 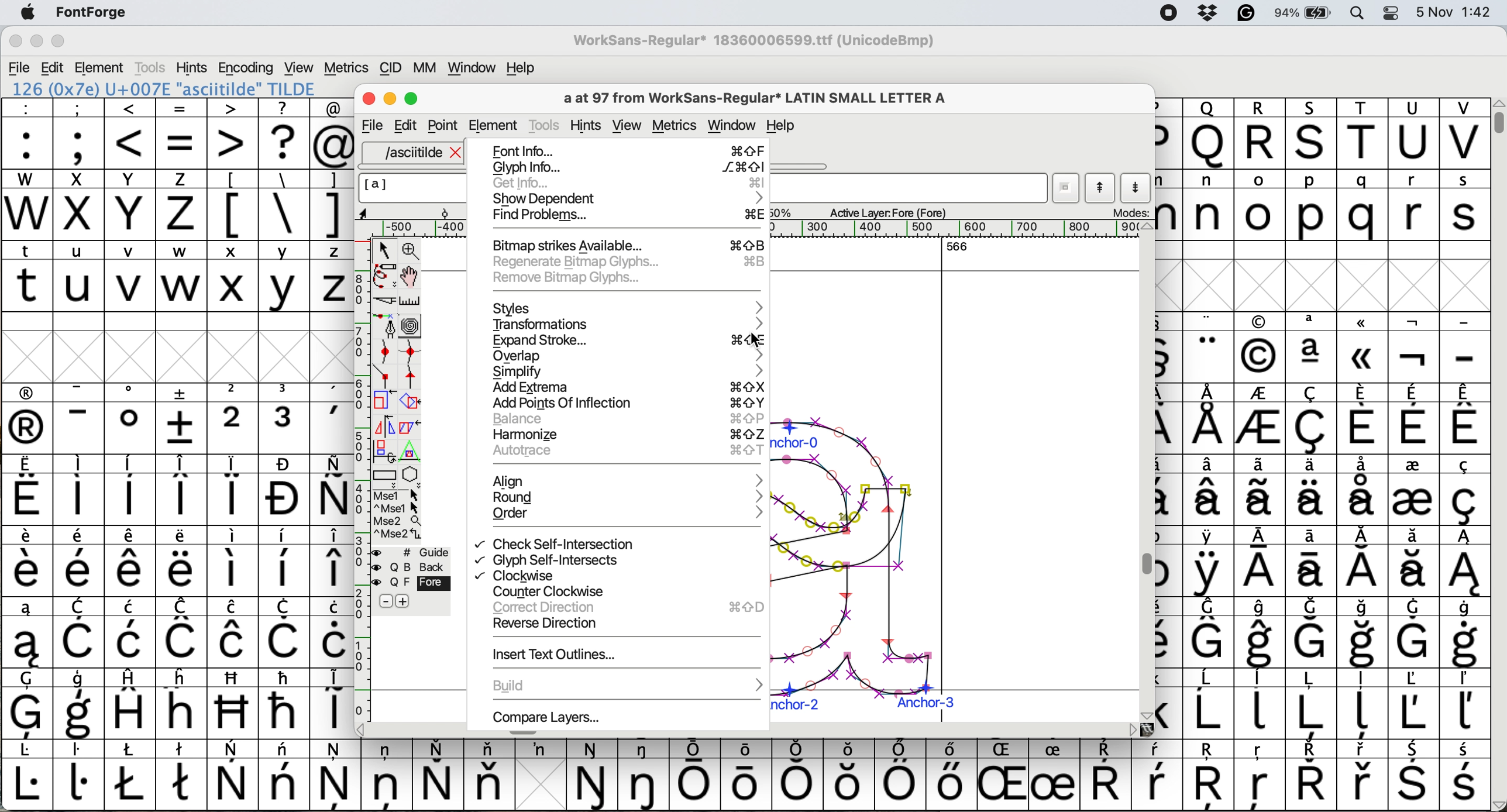 I want to click on compare layers, so click(x=566, y=715).